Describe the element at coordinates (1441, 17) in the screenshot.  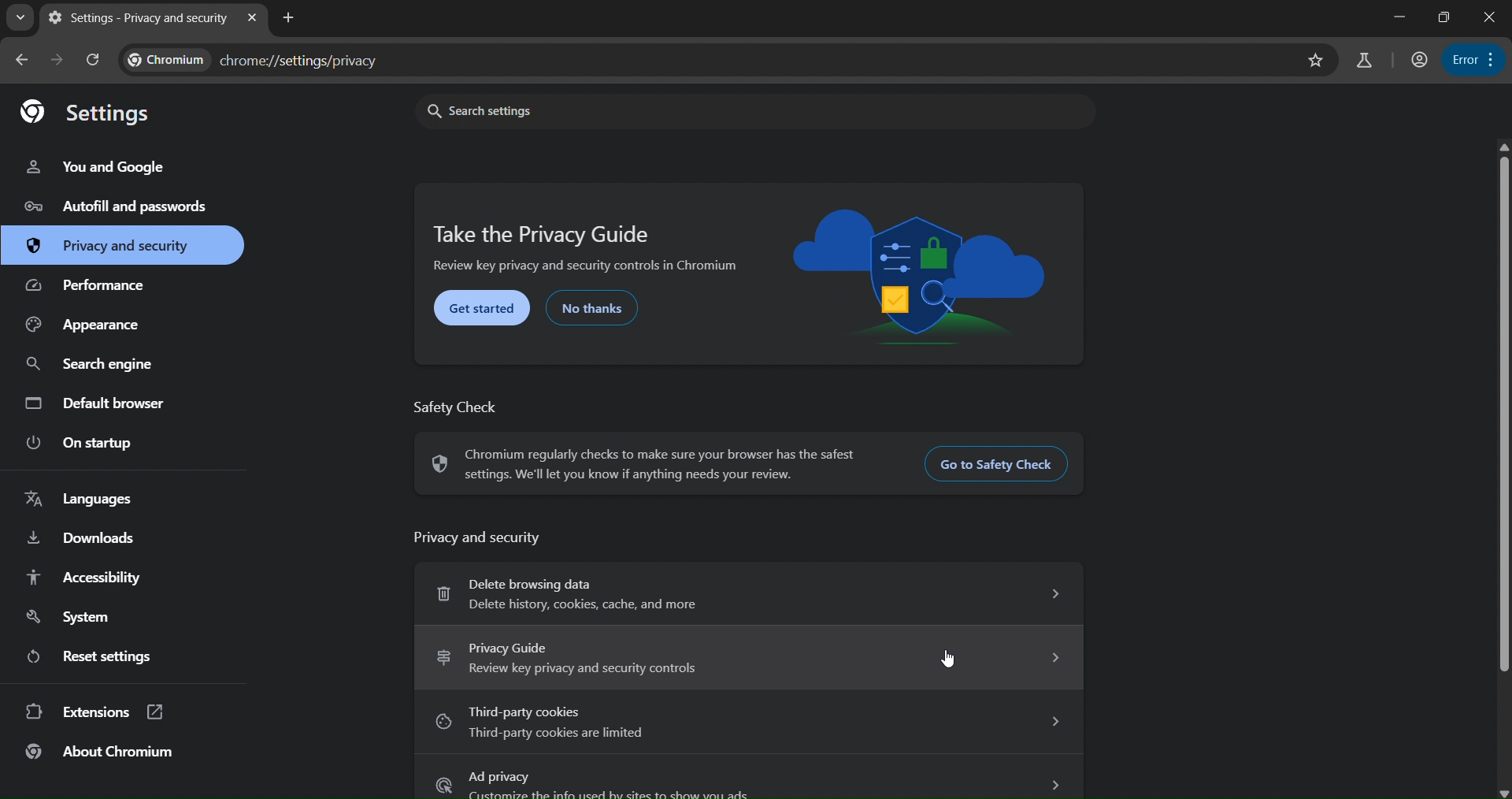
I see `restore down` at that location.